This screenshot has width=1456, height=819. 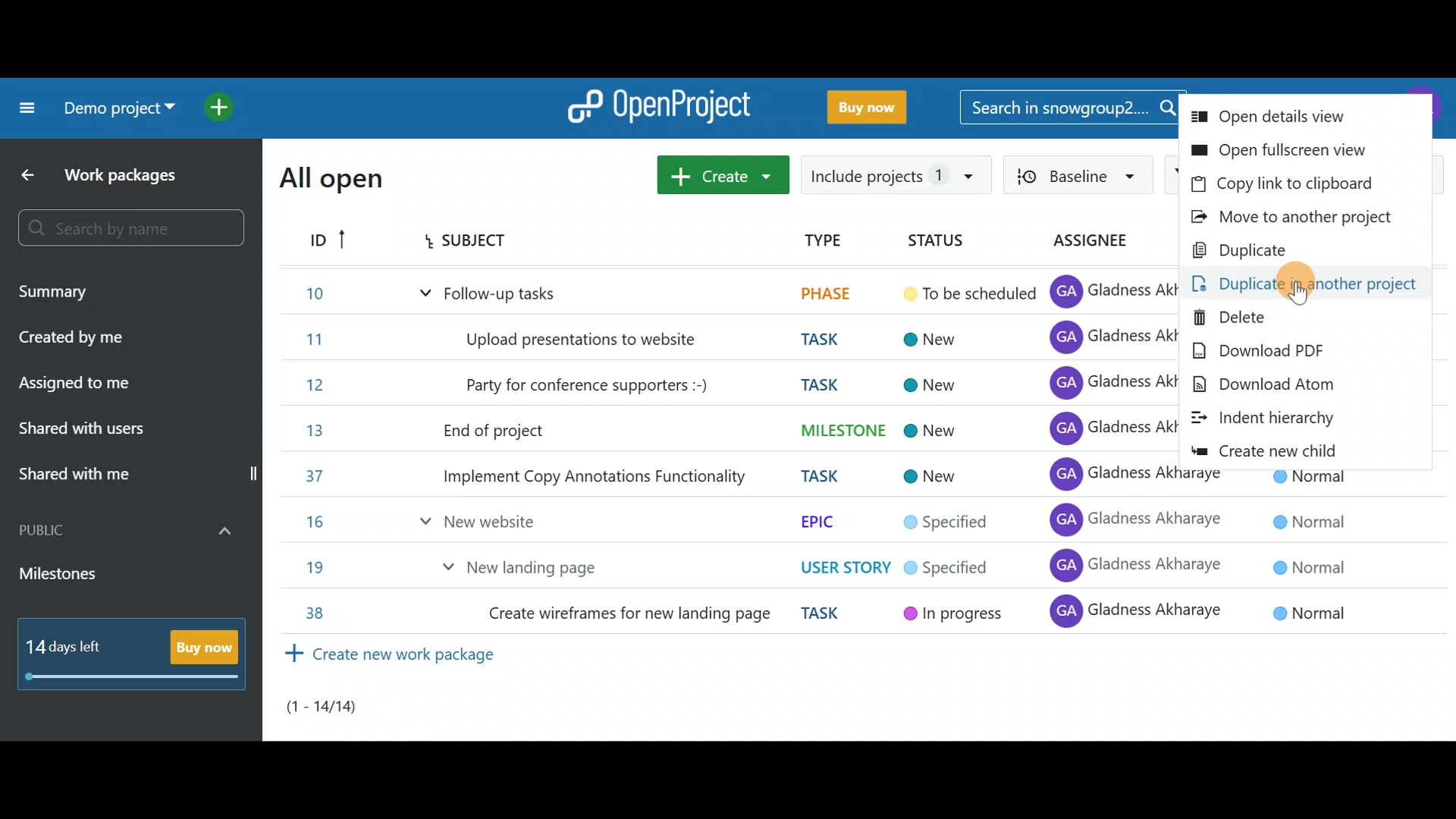 I want to click on GA Gladness Akharaye, so click(x=1126, y=521).